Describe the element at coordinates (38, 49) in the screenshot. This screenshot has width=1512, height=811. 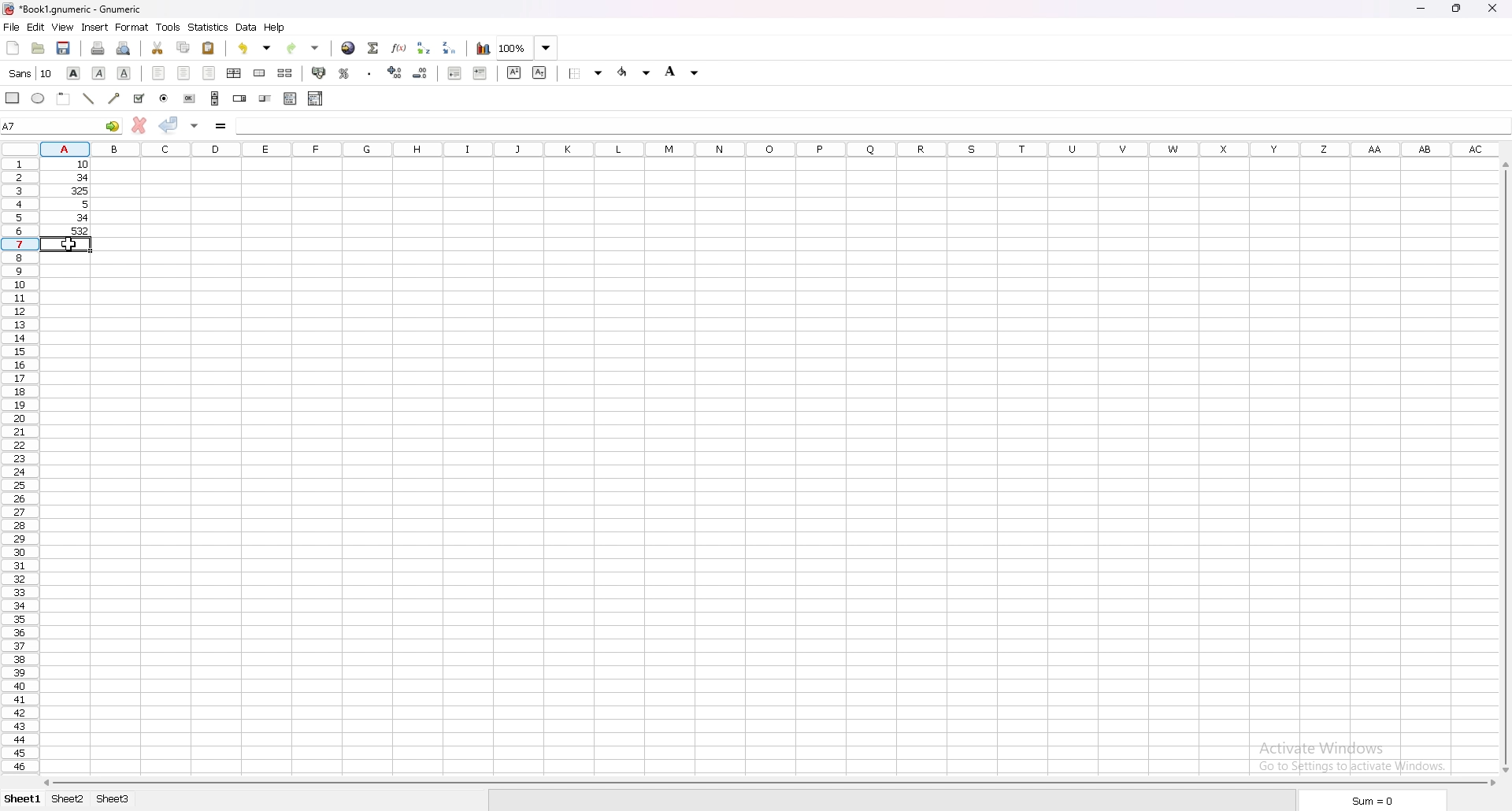
I see `open` at that location.